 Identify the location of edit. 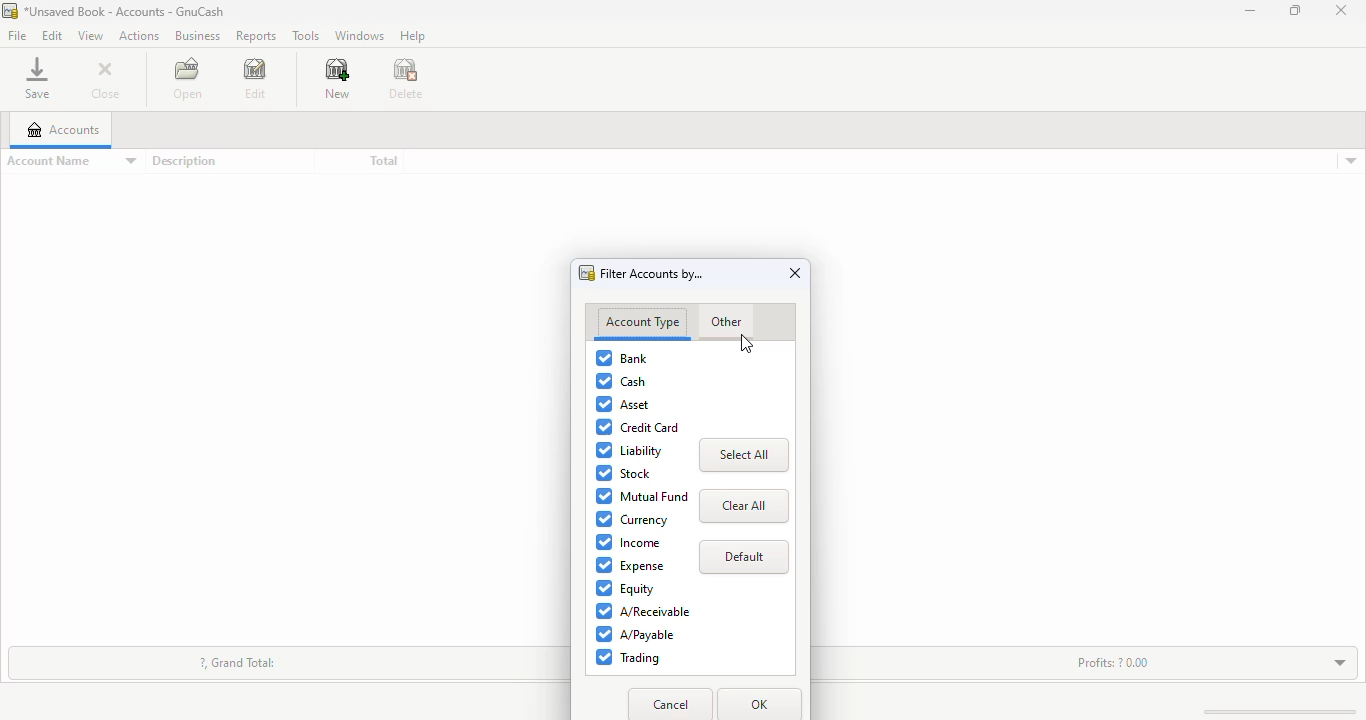
(52, 35).